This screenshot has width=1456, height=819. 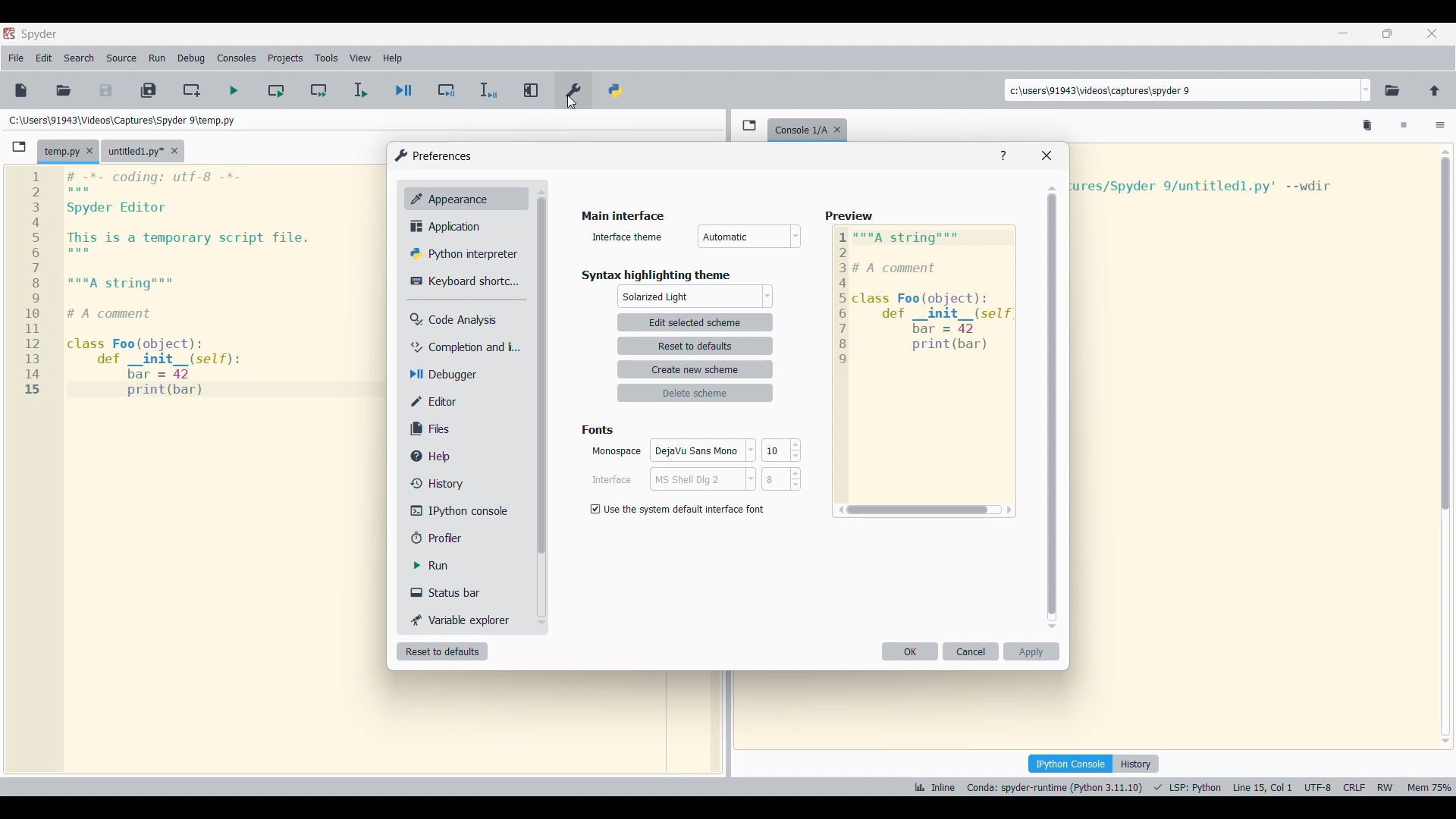 What do you see at coordinates (677, 510) in the screenshot?
I see `Toggle for system default interface font` at bounding box center [677, 510].